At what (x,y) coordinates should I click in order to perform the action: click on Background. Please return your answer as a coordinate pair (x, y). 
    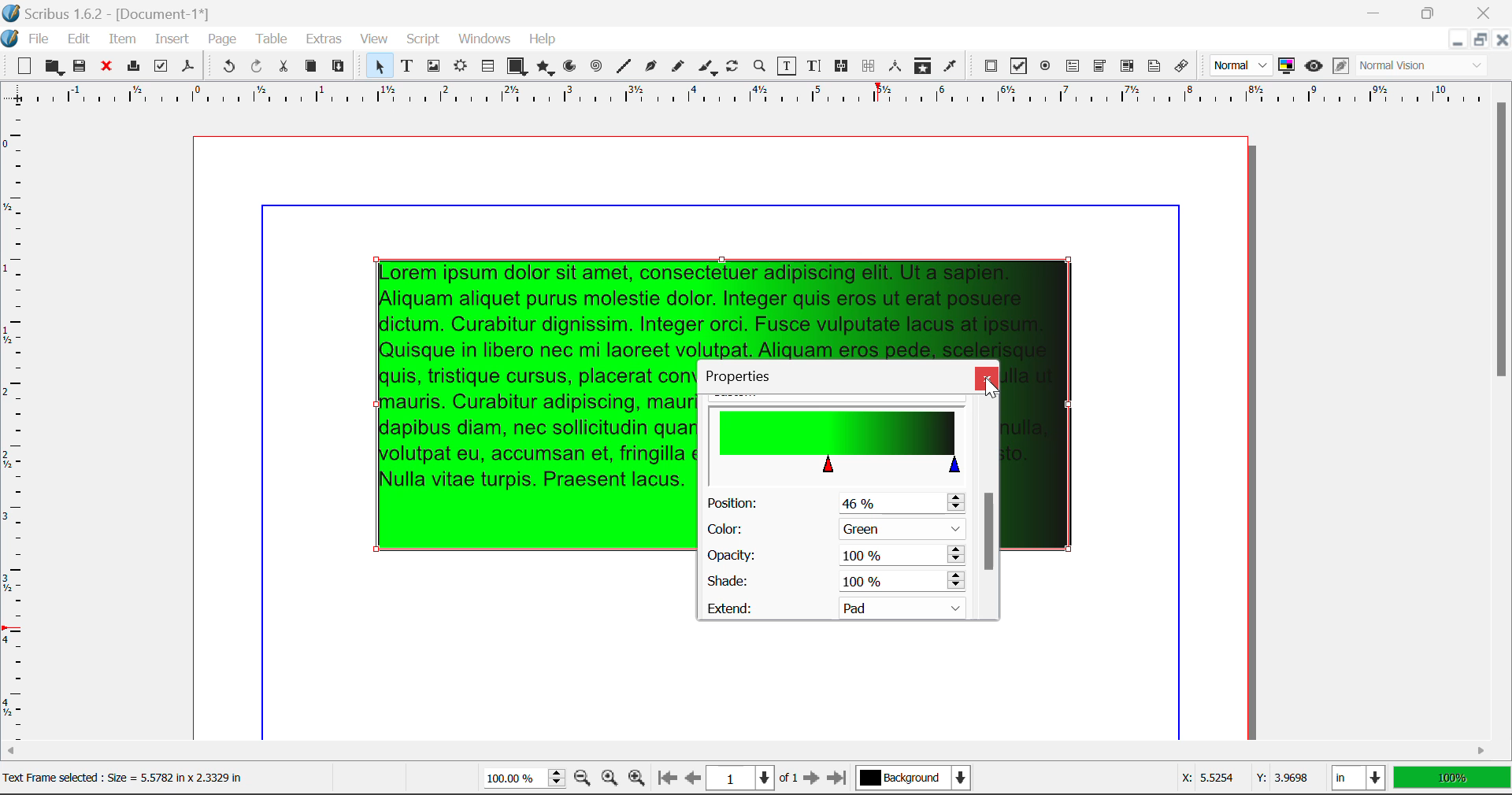
    Looking at the image, I should click on (917, 780).